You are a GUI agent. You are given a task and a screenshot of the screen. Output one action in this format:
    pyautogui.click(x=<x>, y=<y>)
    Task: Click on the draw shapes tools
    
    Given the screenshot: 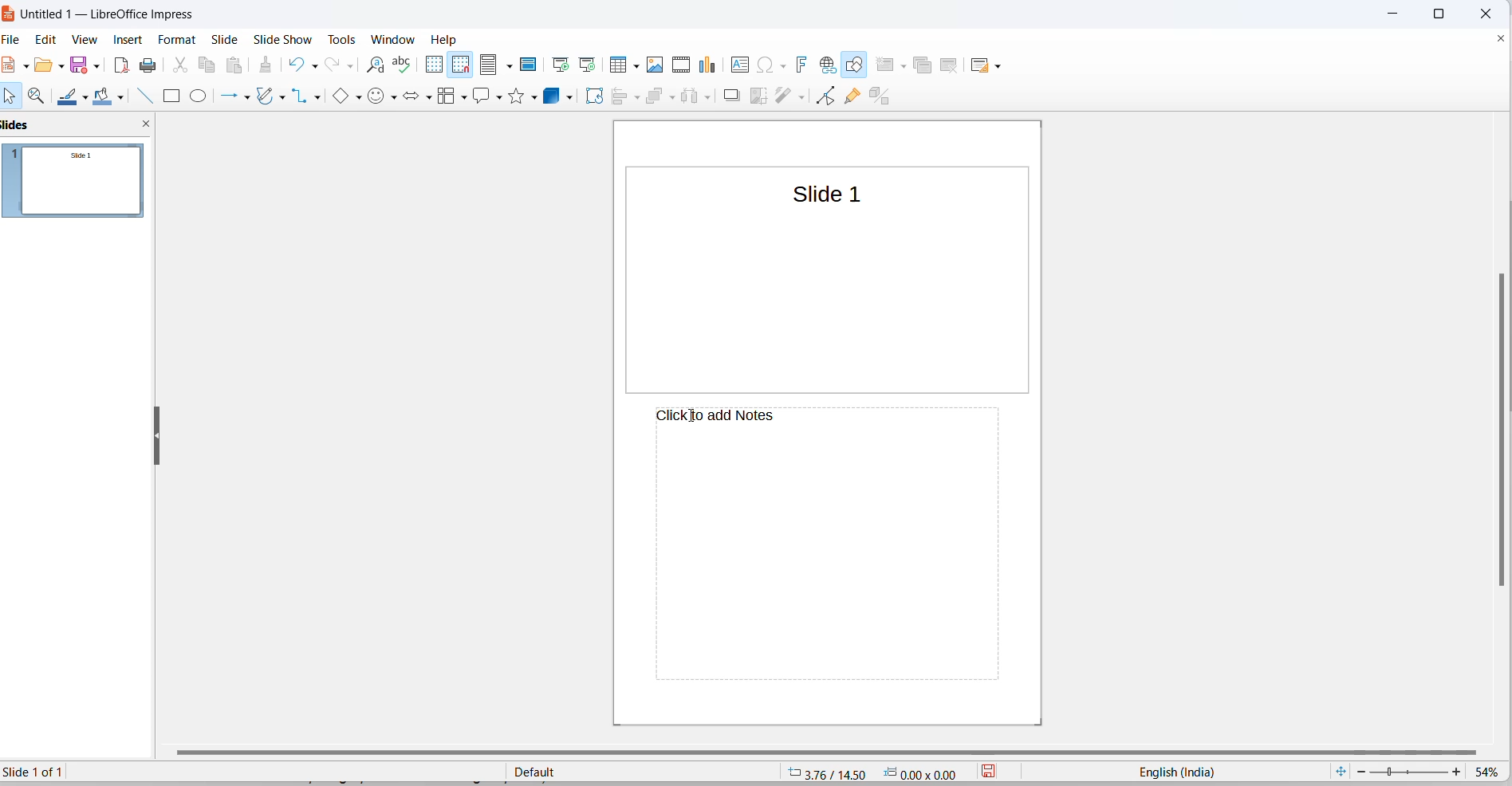 What is the action you would take?
    pyautogui.click(x=856, y=65)
    